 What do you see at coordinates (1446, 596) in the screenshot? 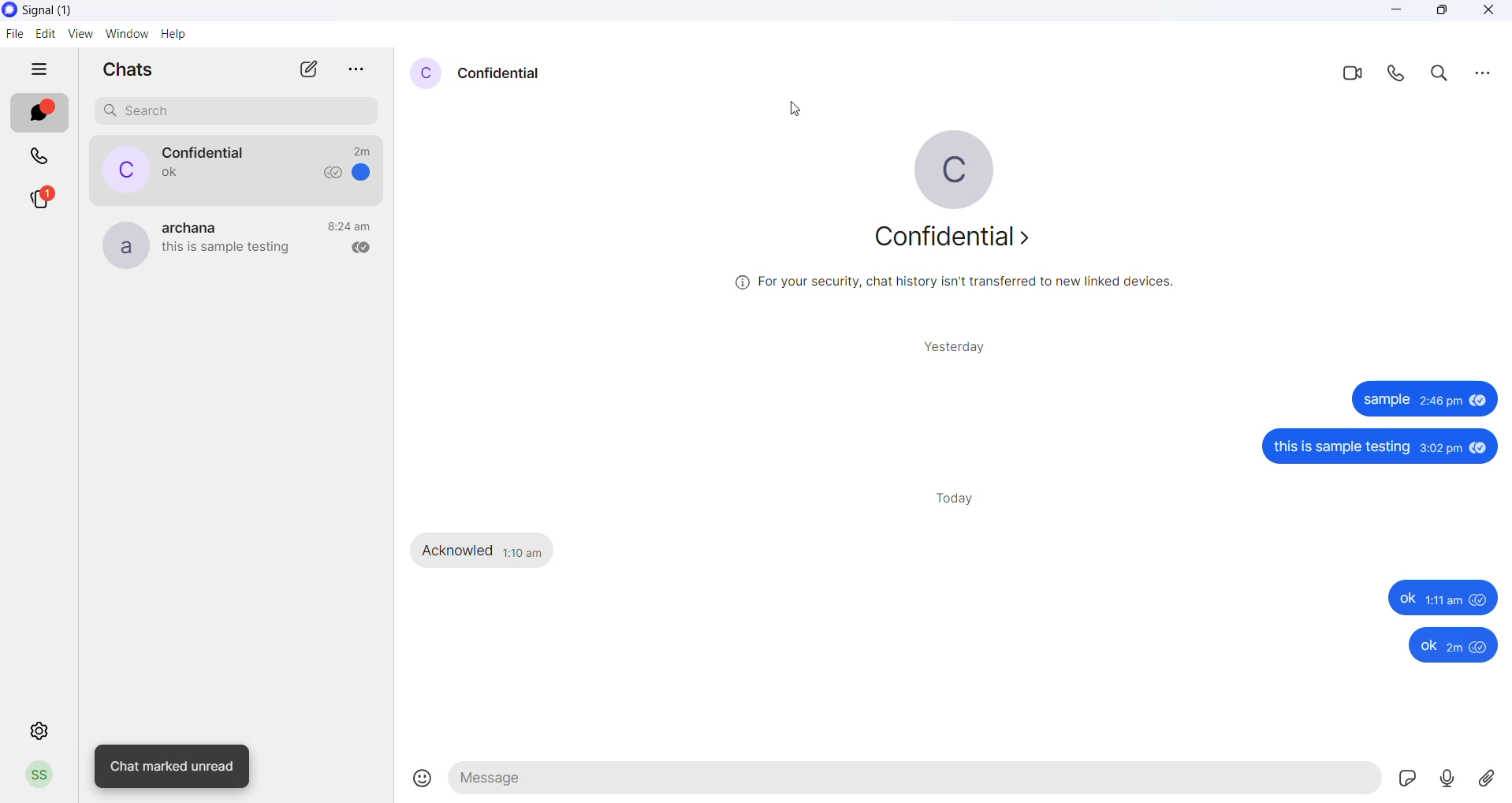
I see `ok` at bounding box center [1446, 596].